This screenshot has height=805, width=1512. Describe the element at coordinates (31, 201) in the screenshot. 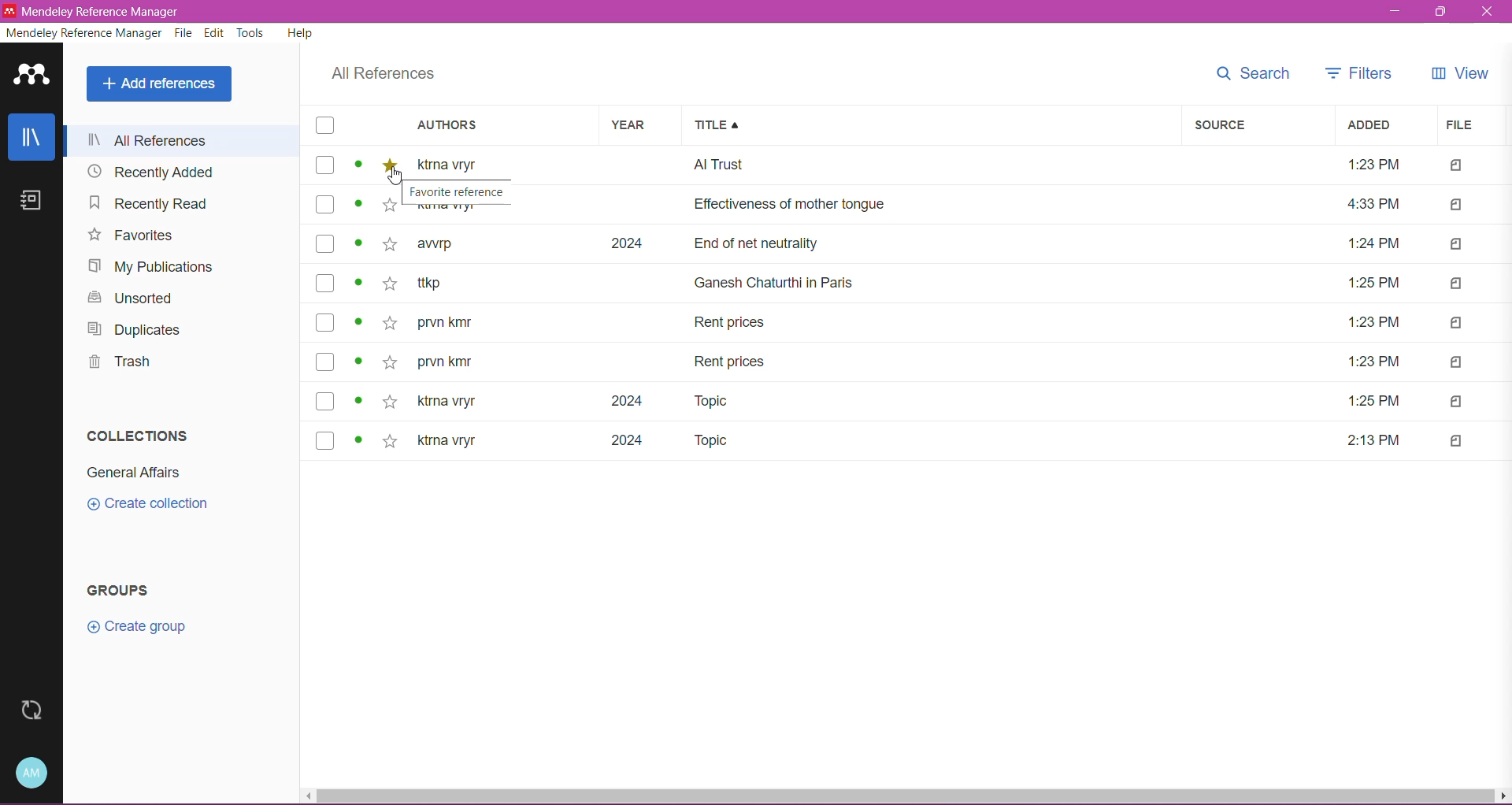

I see `Notes` at that location.